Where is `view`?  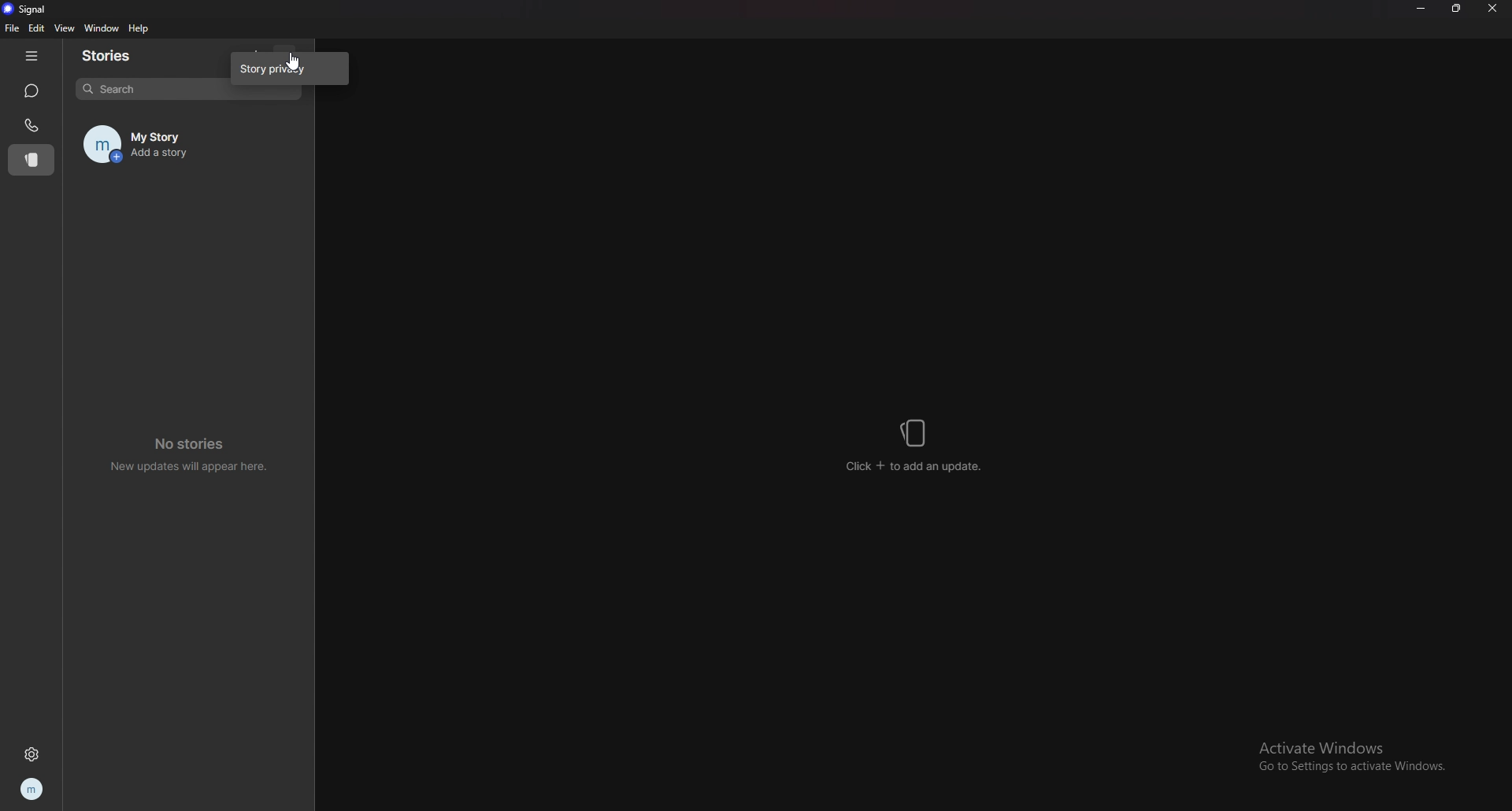
view is located at coordinates (63, 28).